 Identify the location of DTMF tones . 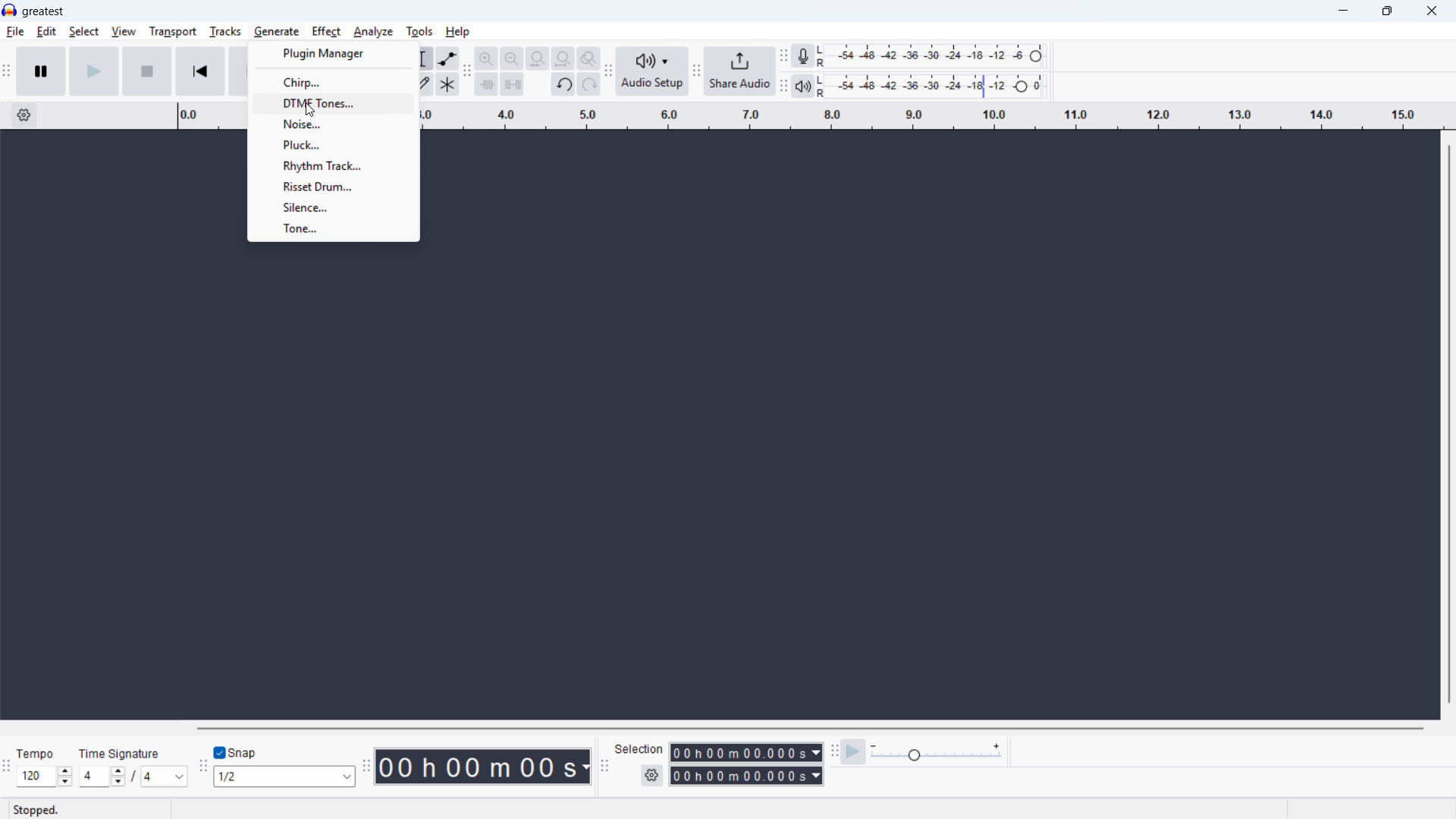
(334, 103).